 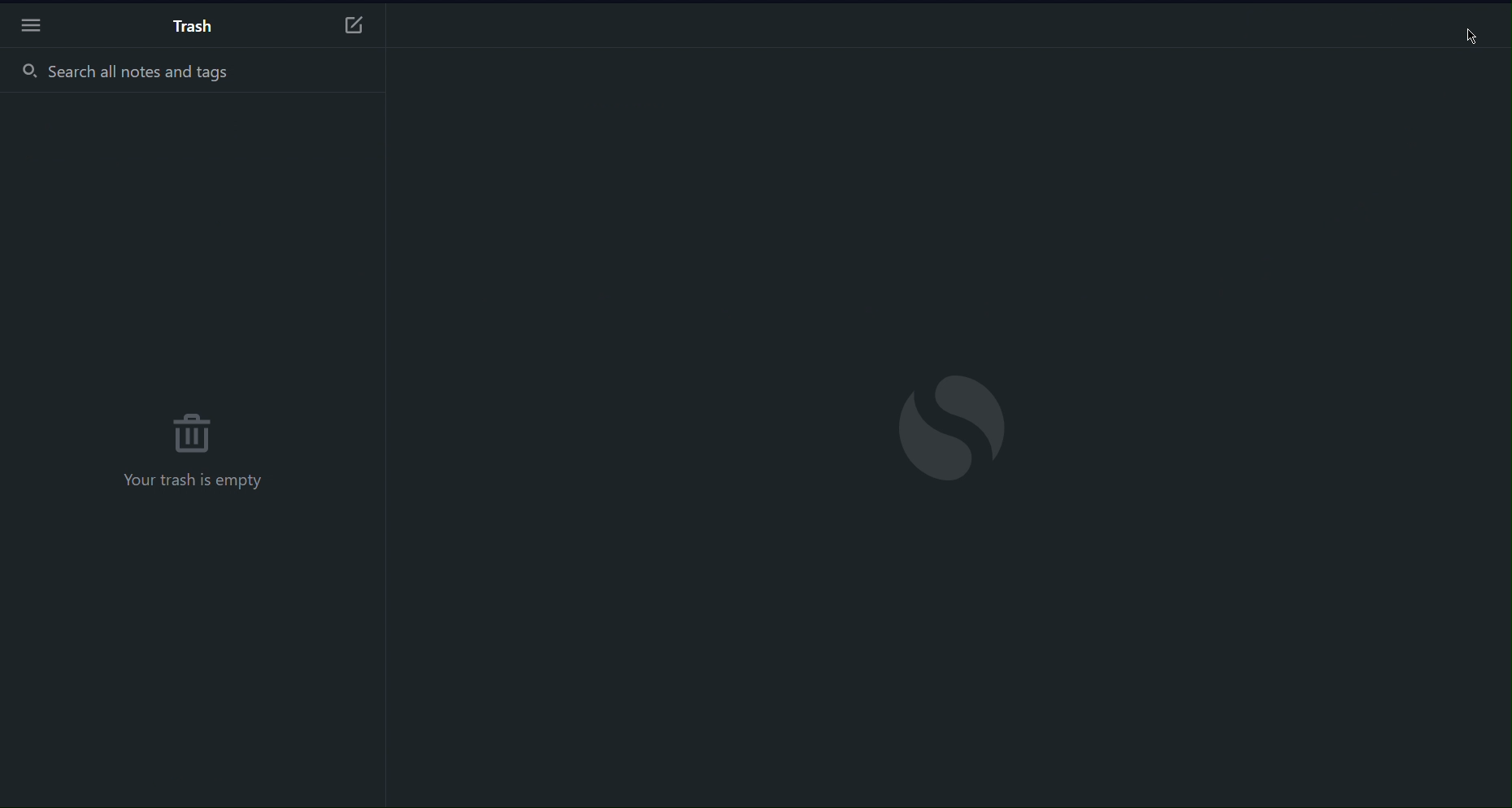 I want to click on Empty logo, so click(x=953, y=427).